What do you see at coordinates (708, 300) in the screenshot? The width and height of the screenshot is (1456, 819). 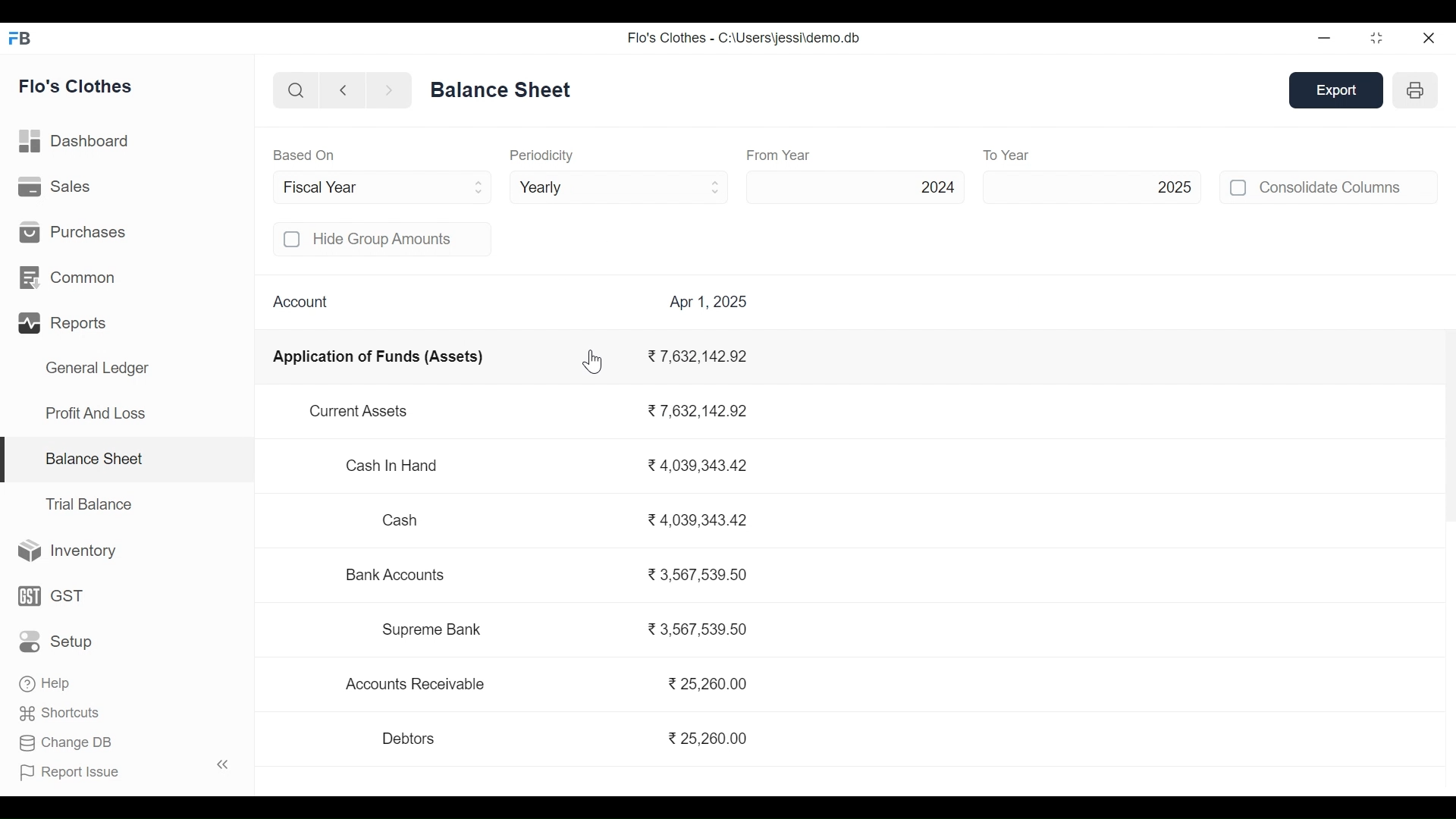 I see `Apr 1, 2025` at bounding box center [708, 300].